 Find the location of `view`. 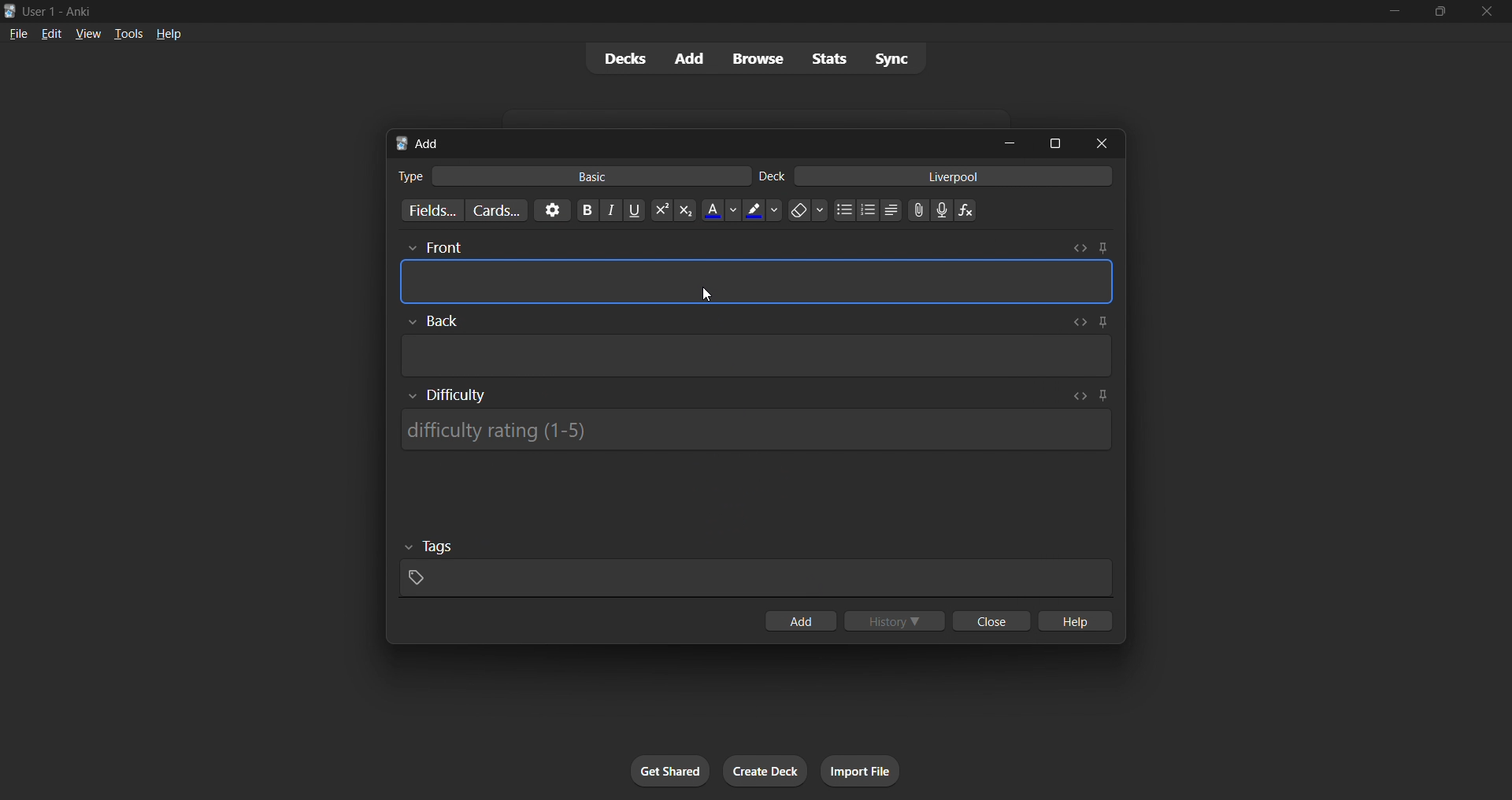

view is located at coordinates (88, 33).